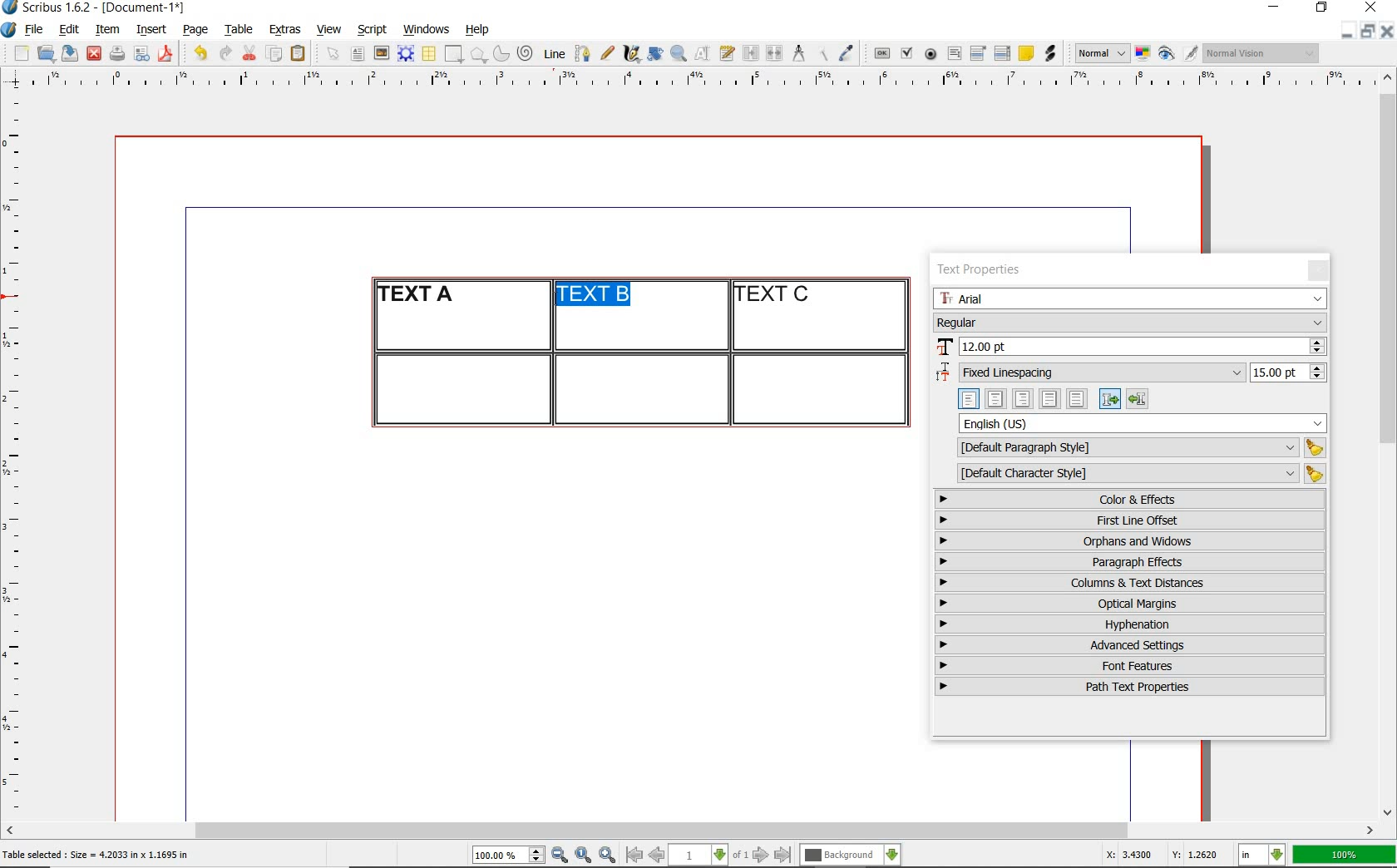 The width and height of the screenshot is (1397, 868). What do you see at coordinates (36, 30) in the screenshot?
I see `file` at bounding box center [36, 30].